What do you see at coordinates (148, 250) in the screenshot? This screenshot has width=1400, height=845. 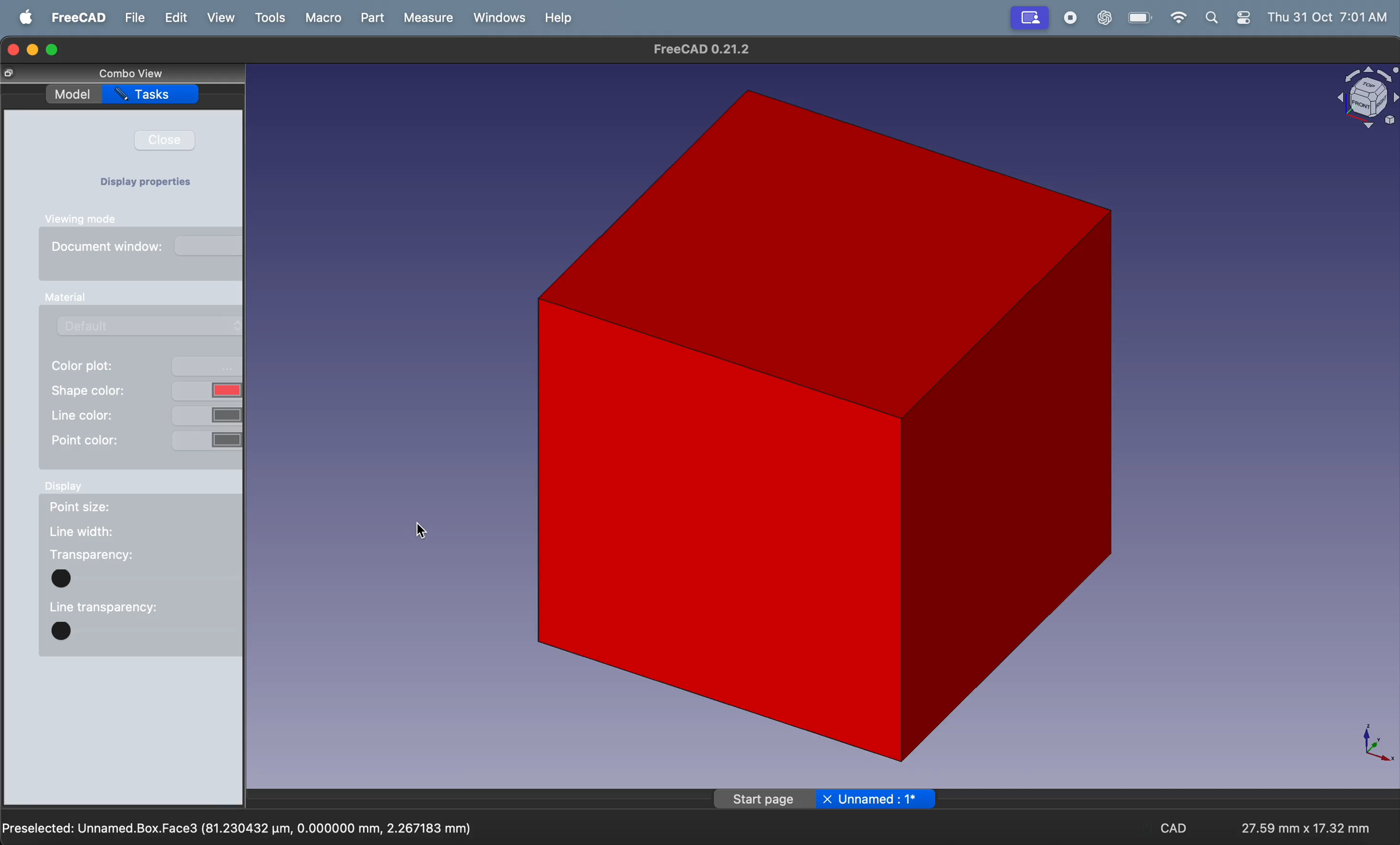 I see `document window` at bounding box center [148, 250].